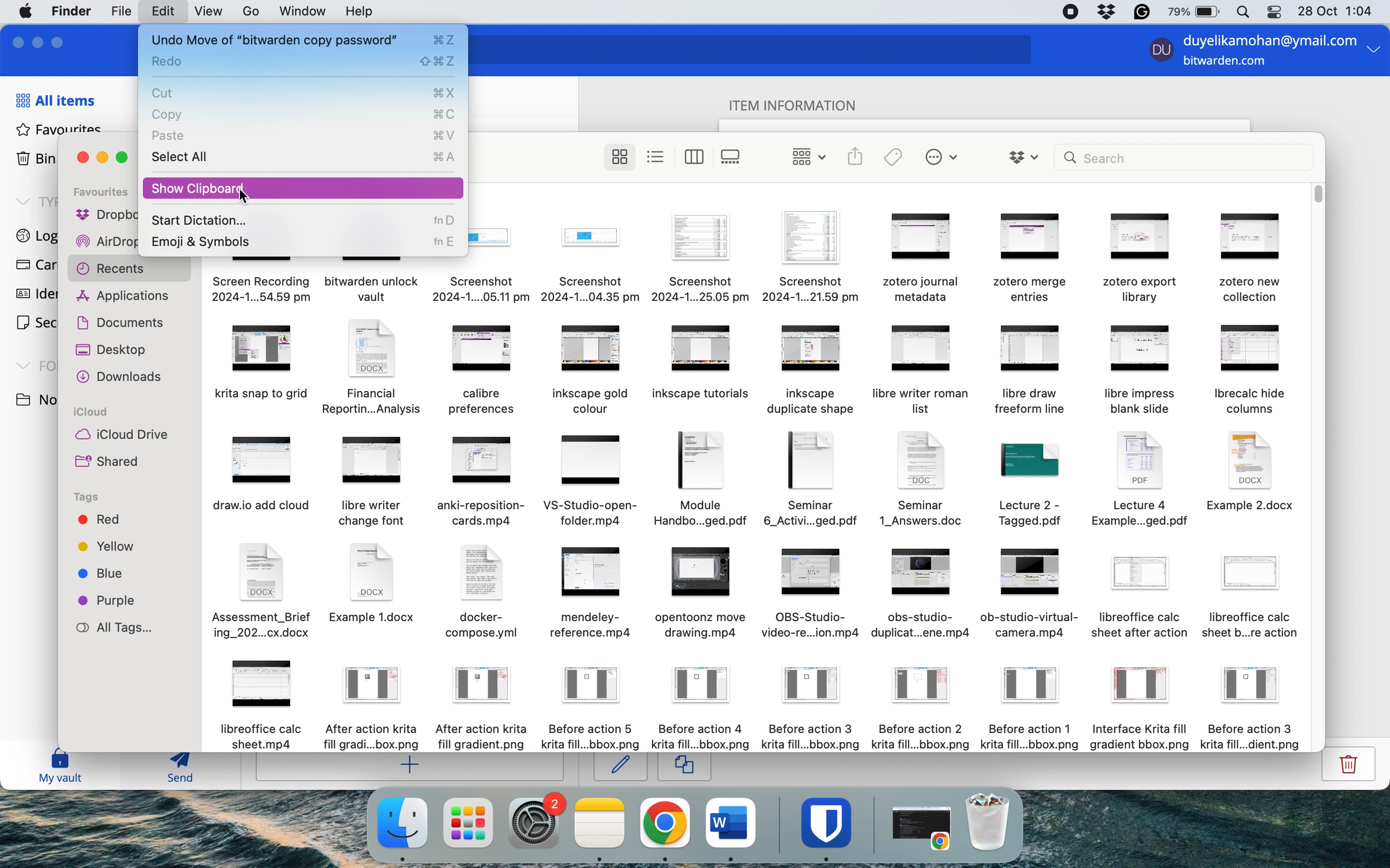 This screenshot has width=1390, height=868. What do you see at coordinates (99, 521) in the screenshot?
I see `red tag` at bounding box center [99, 521].